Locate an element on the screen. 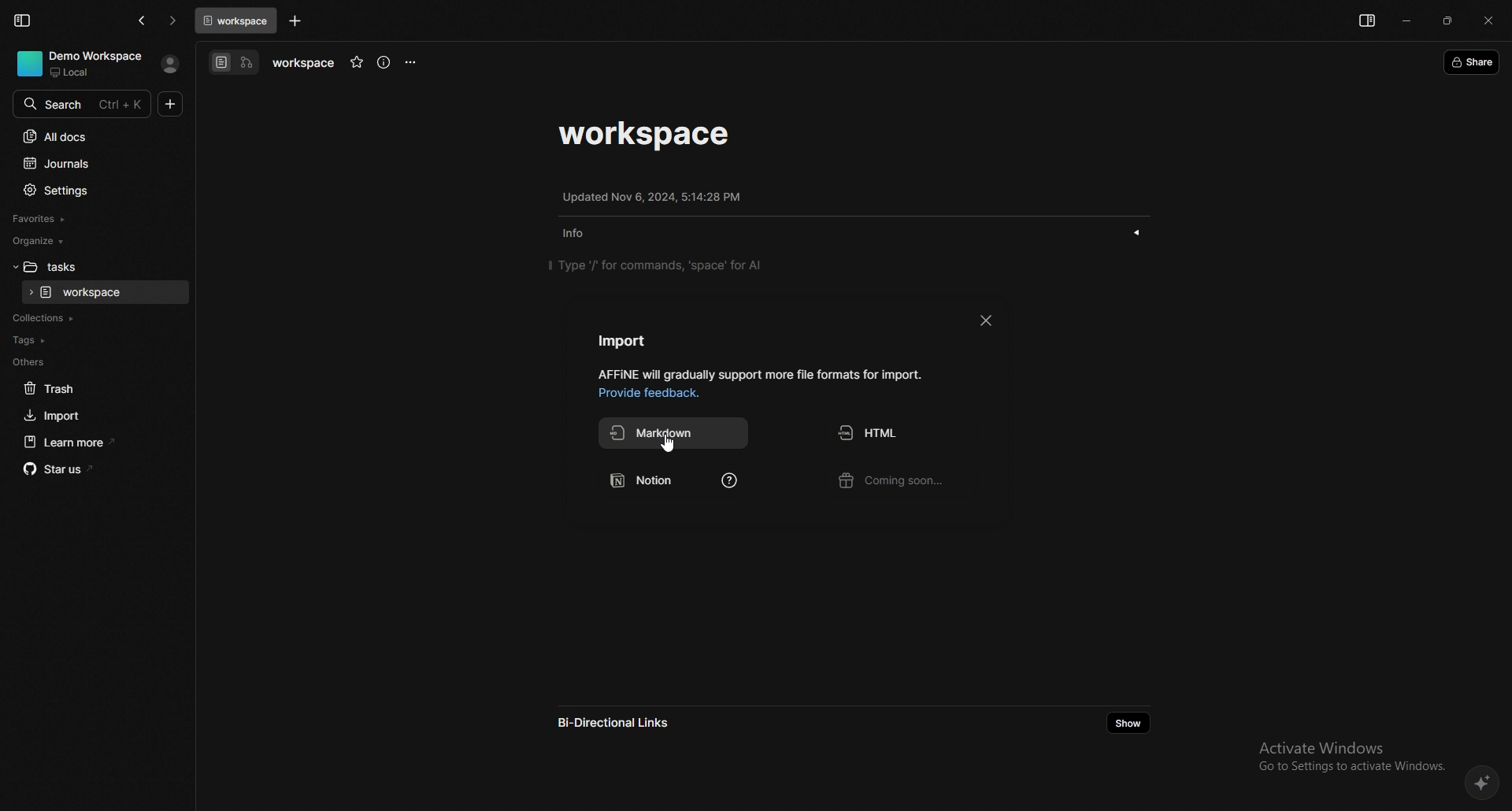 This screenshot has width=1512, height=811. cursor is located at coordinates (672, 446).